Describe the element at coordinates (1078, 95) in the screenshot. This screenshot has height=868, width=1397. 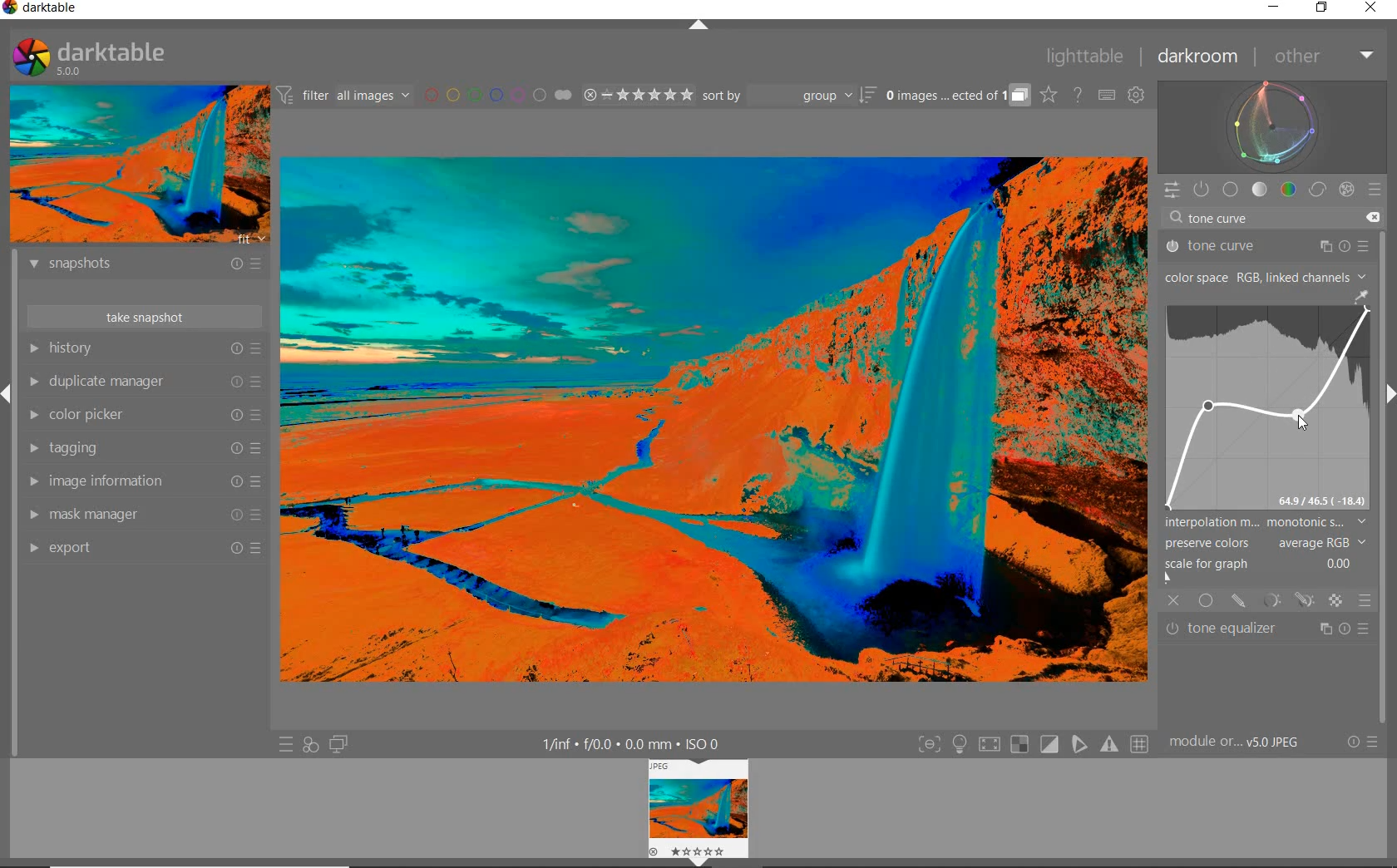
I see `HELP ONLINE` at that location.